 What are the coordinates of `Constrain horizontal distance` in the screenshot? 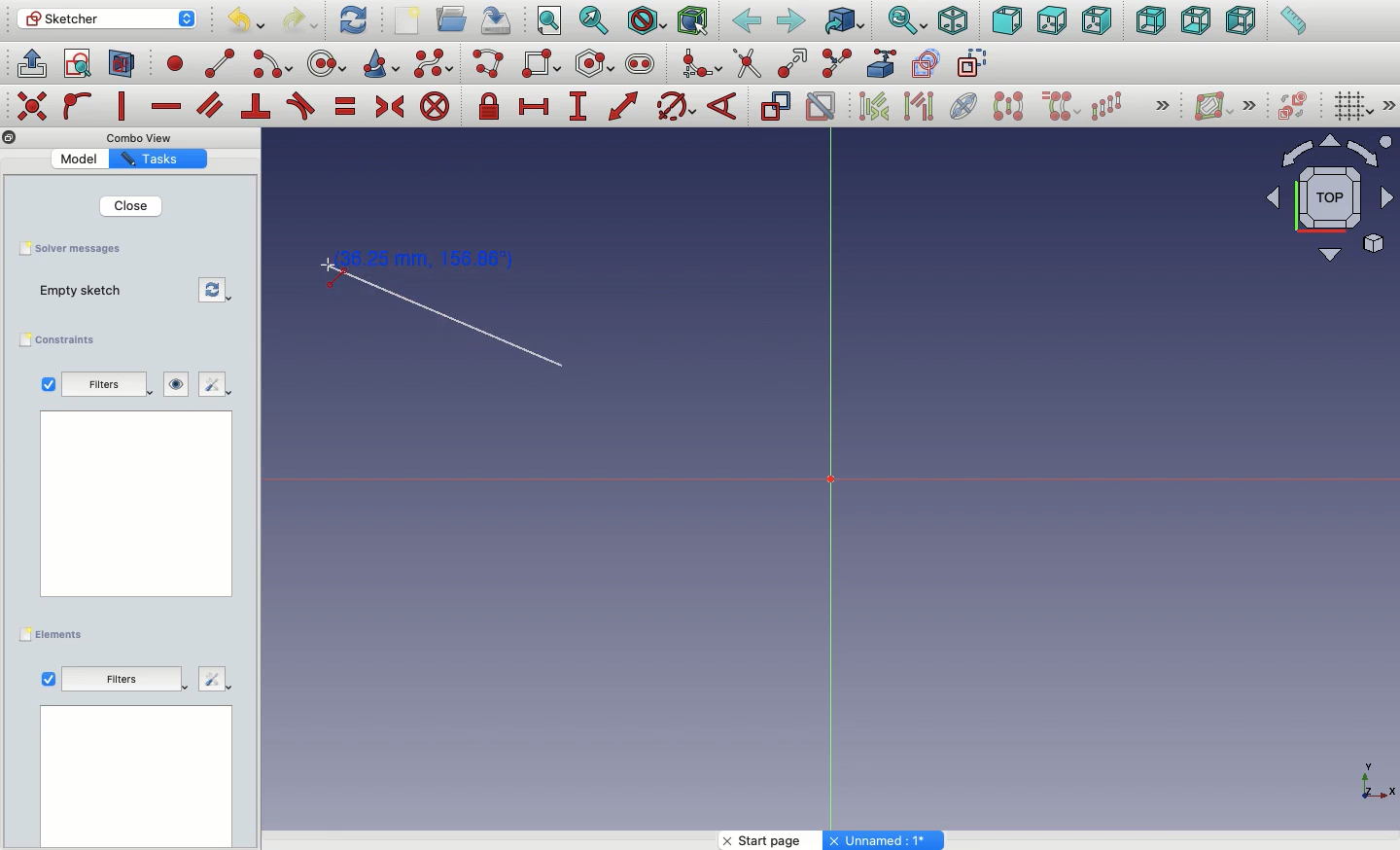 It's located at (538, 108).